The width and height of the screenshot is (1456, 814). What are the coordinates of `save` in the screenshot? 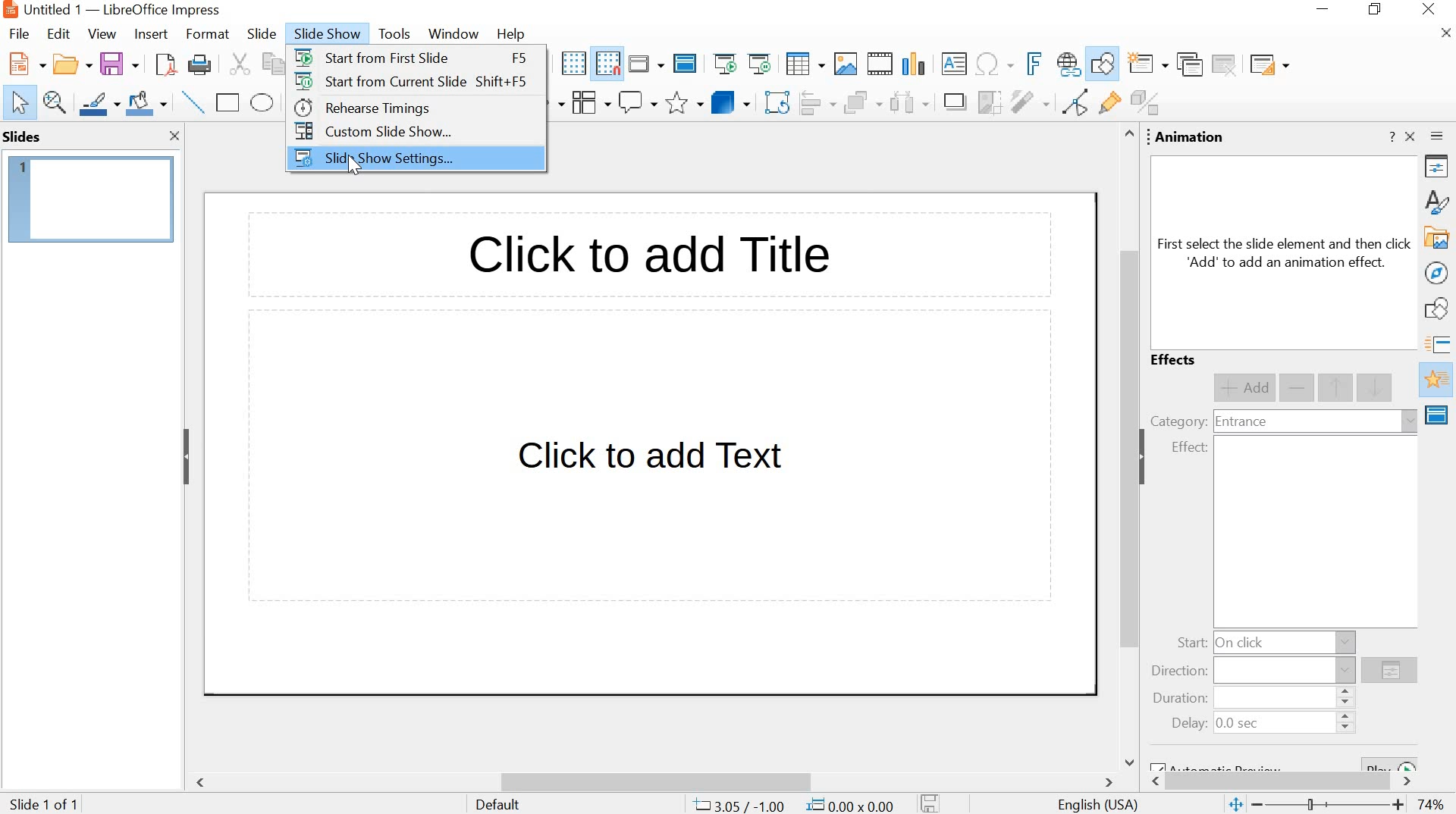 It's located at (119, 64).